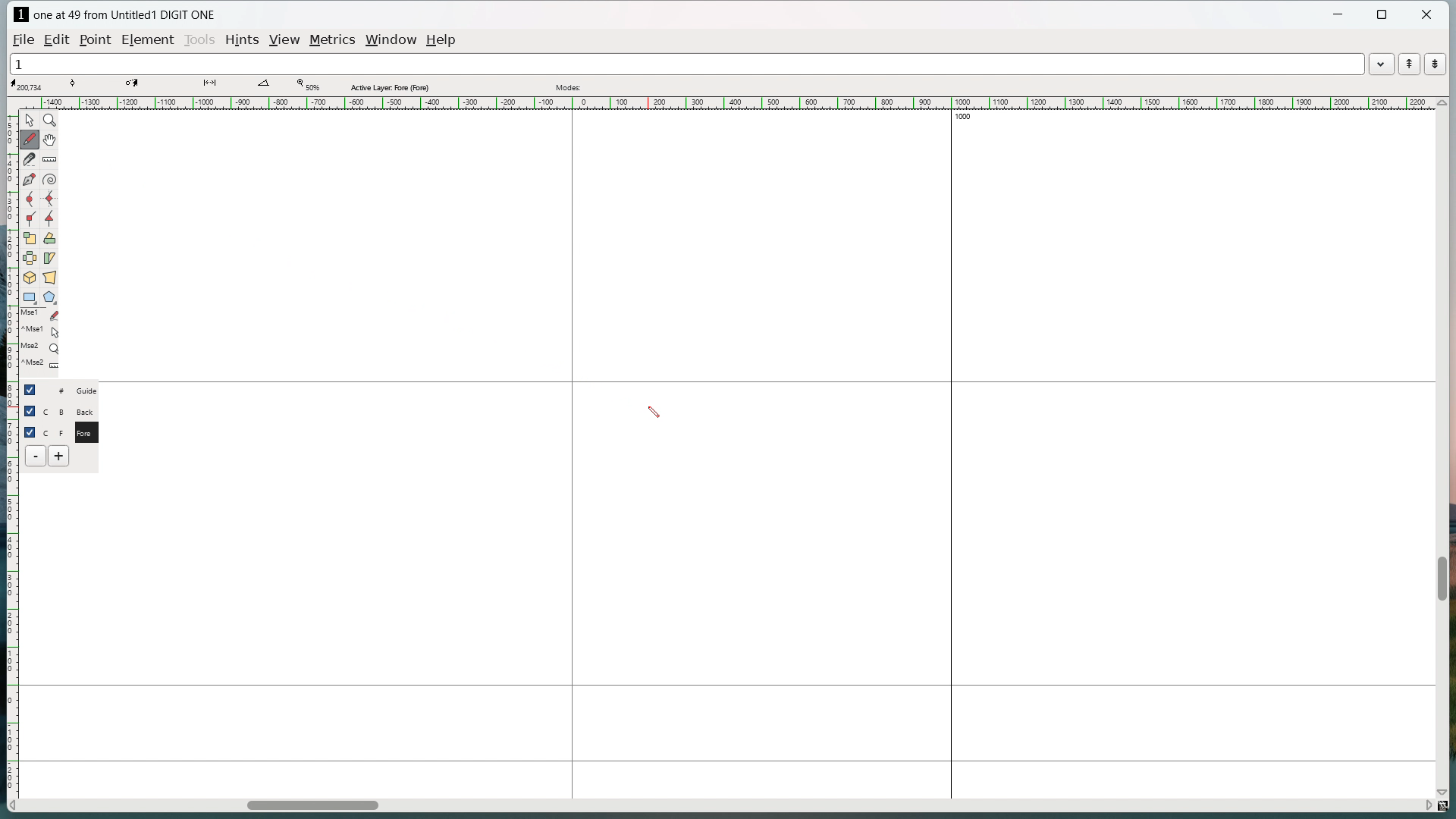 The image size is (1456, 819). Describe the element at coordinates (391, 86) in the screenshot. I see `Active layer fore` at that location.